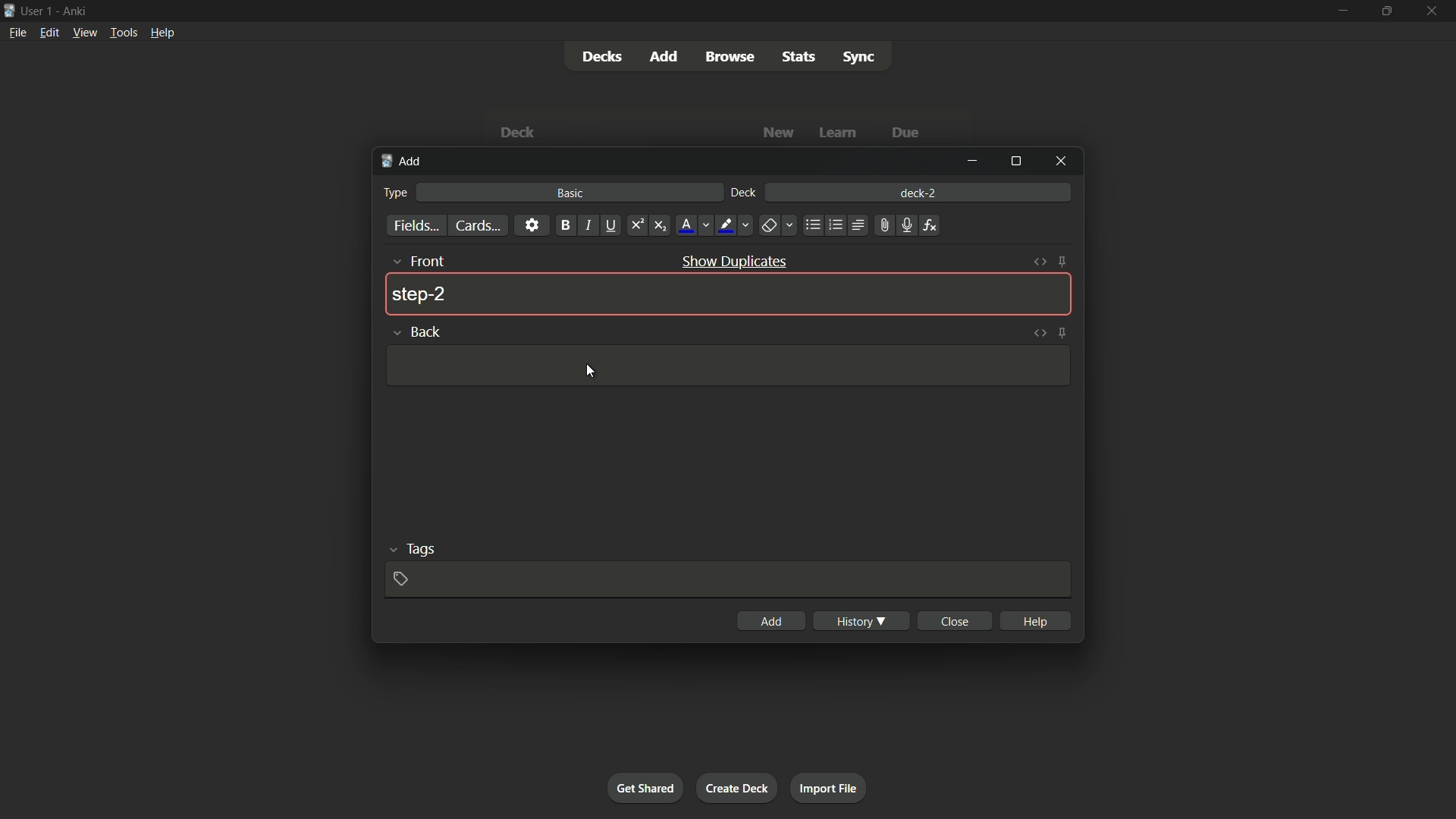 Image resolution: width=1456 pixels, height=819 pixels. What do you see at coordinates (812, 226) in the screenshot?
I see `unordered list` at bounding box center [812, 226].